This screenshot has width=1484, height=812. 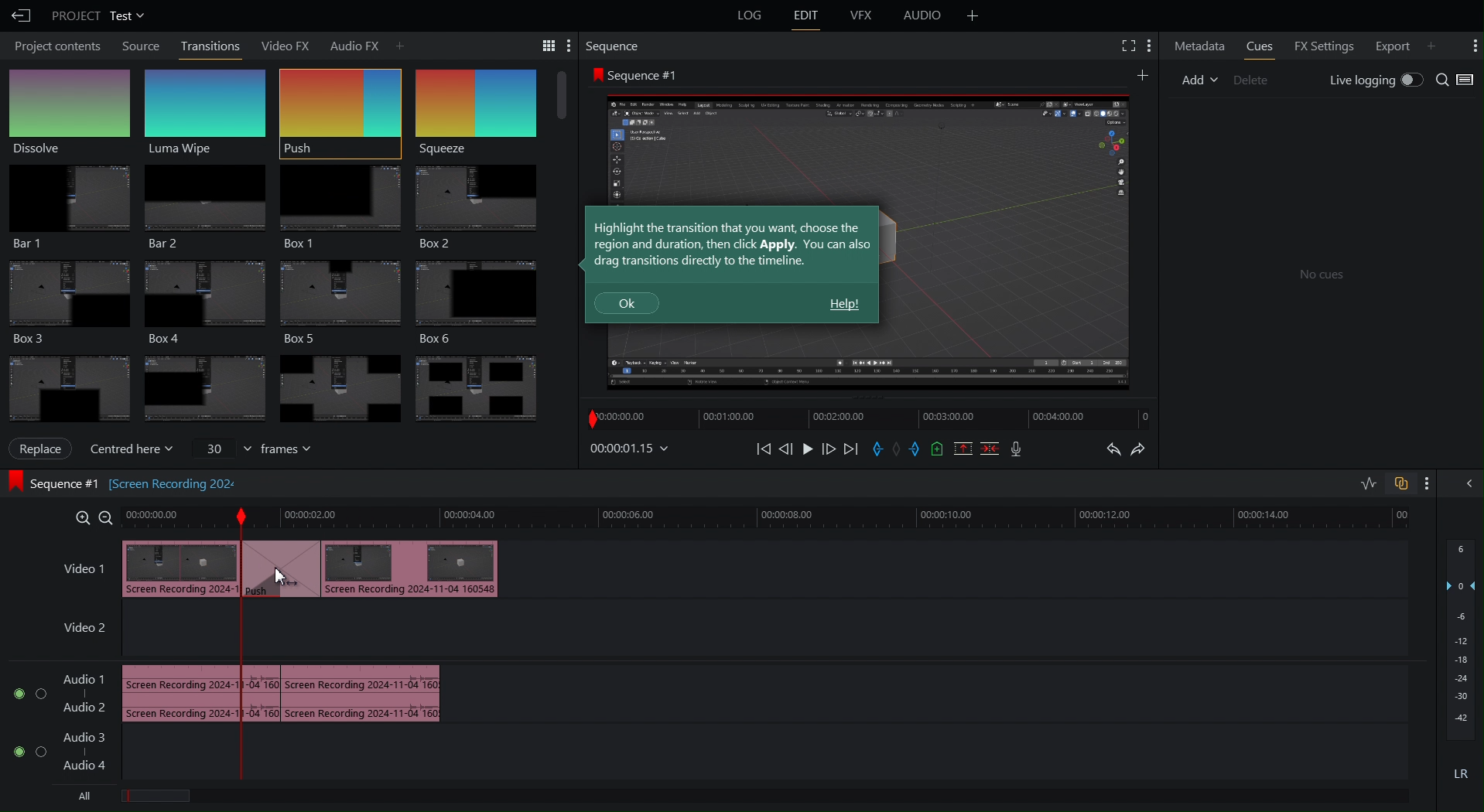 I want to click on toggle, so click(x=14, y=698).